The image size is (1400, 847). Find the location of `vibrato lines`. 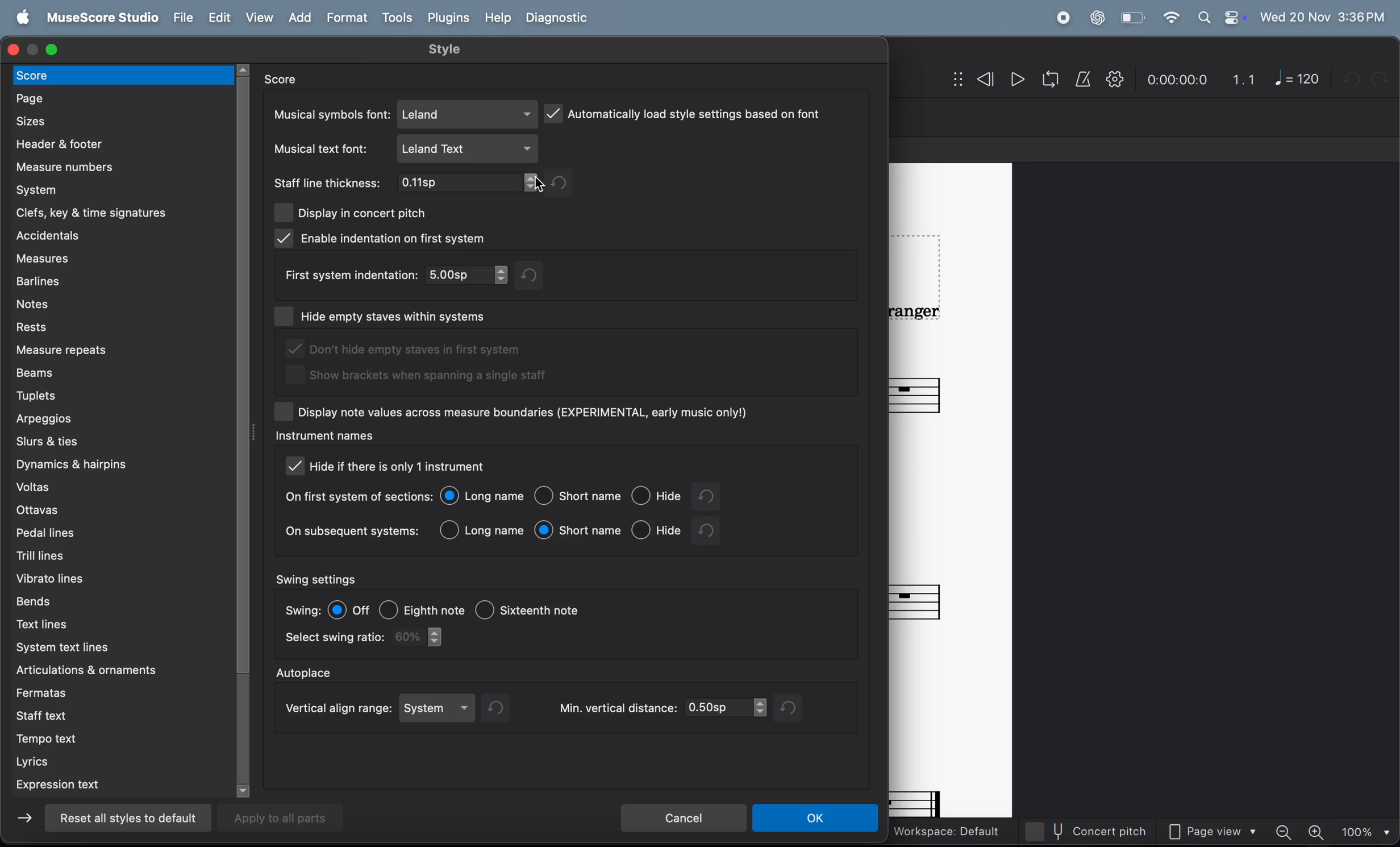

vibrato lines is located at coordinates (108, 576).